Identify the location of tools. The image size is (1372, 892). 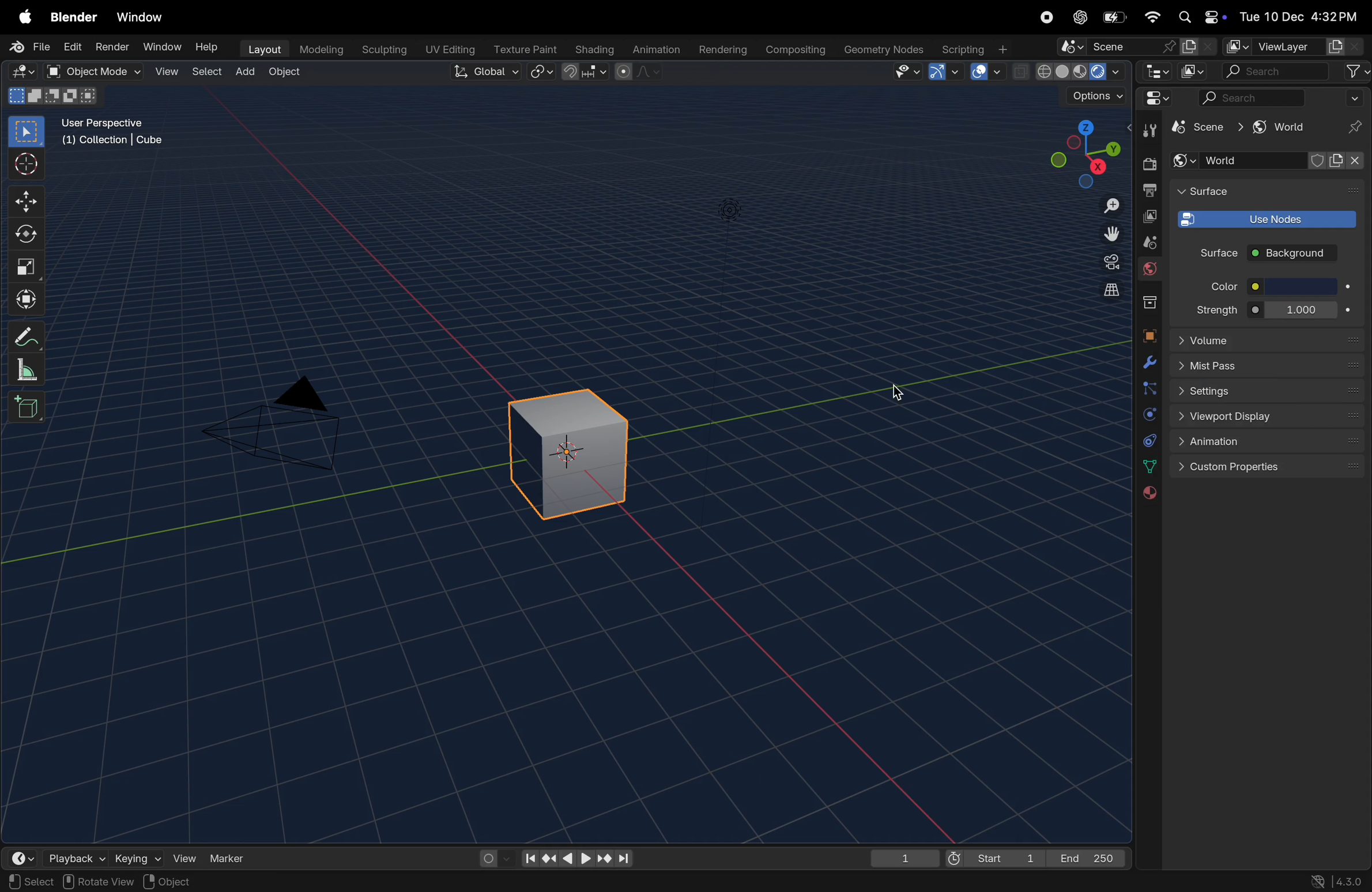
(1146, 130).